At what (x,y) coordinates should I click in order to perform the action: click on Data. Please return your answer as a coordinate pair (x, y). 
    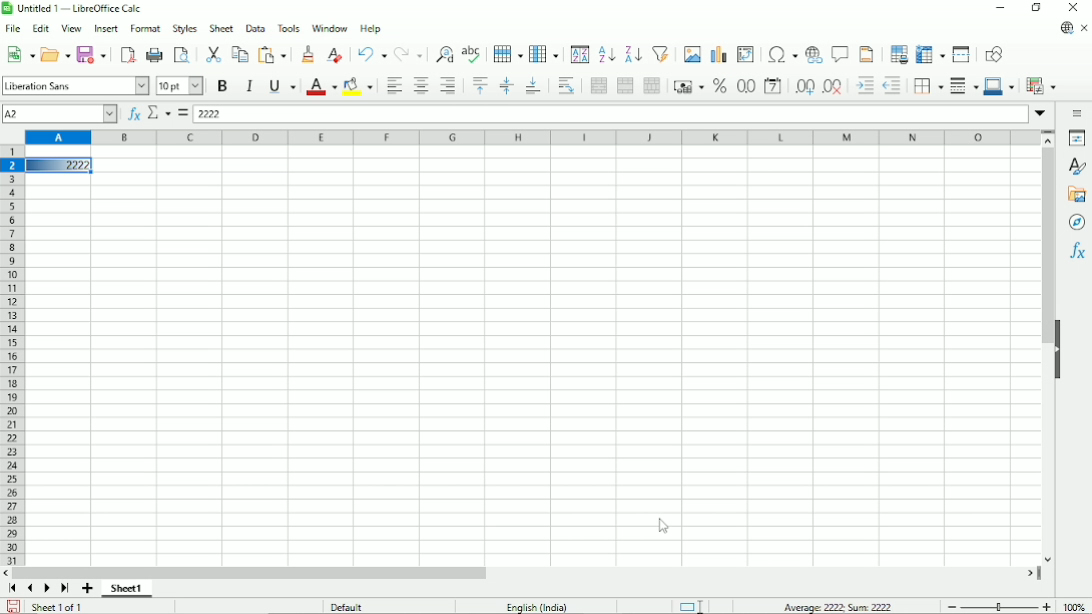
    Looking at the image, I should click on (255, 28).